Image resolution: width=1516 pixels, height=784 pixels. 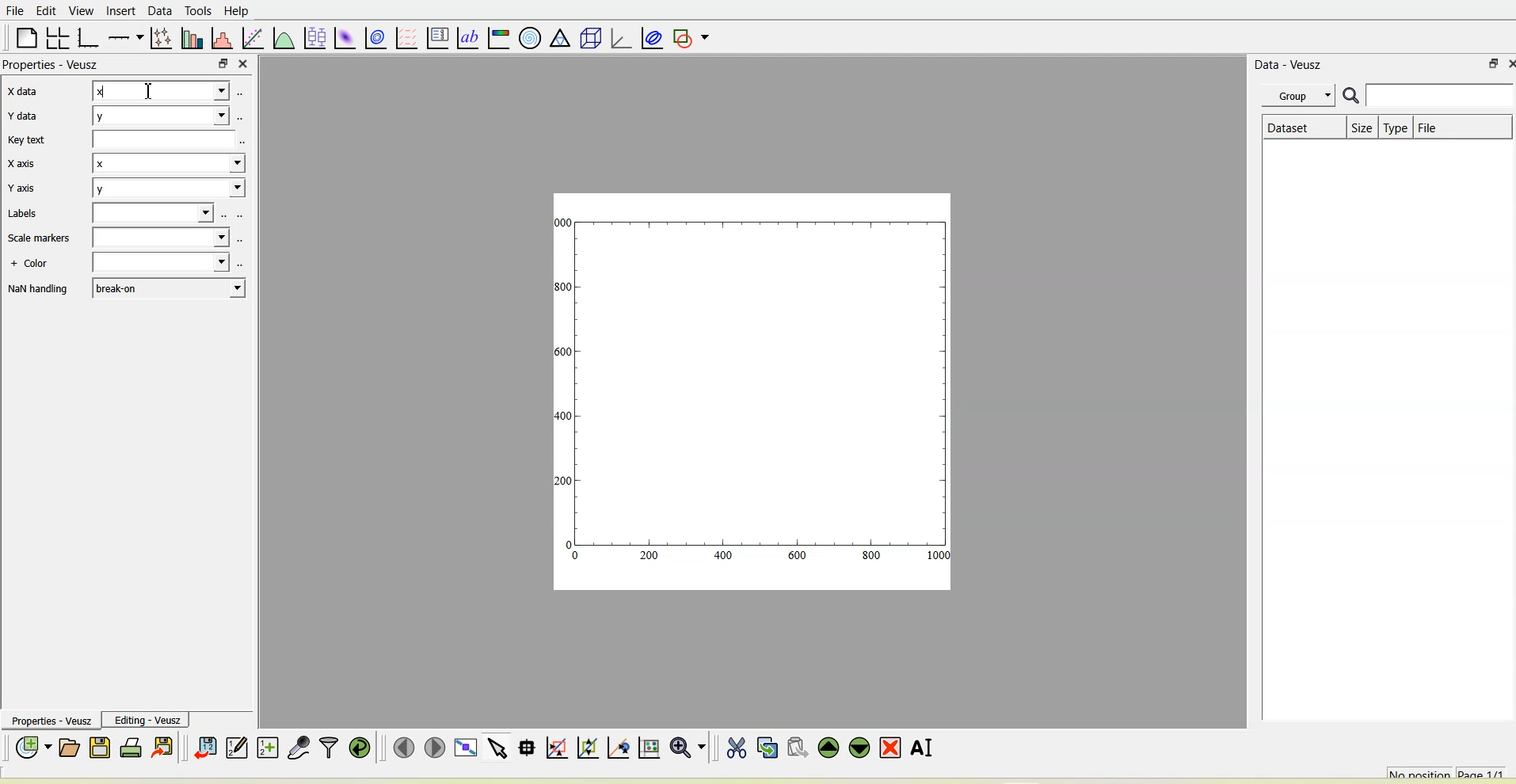 What do you see at coordinates (870, 556) in the screenshot?
I see `800` at bounding box center [870, 556].